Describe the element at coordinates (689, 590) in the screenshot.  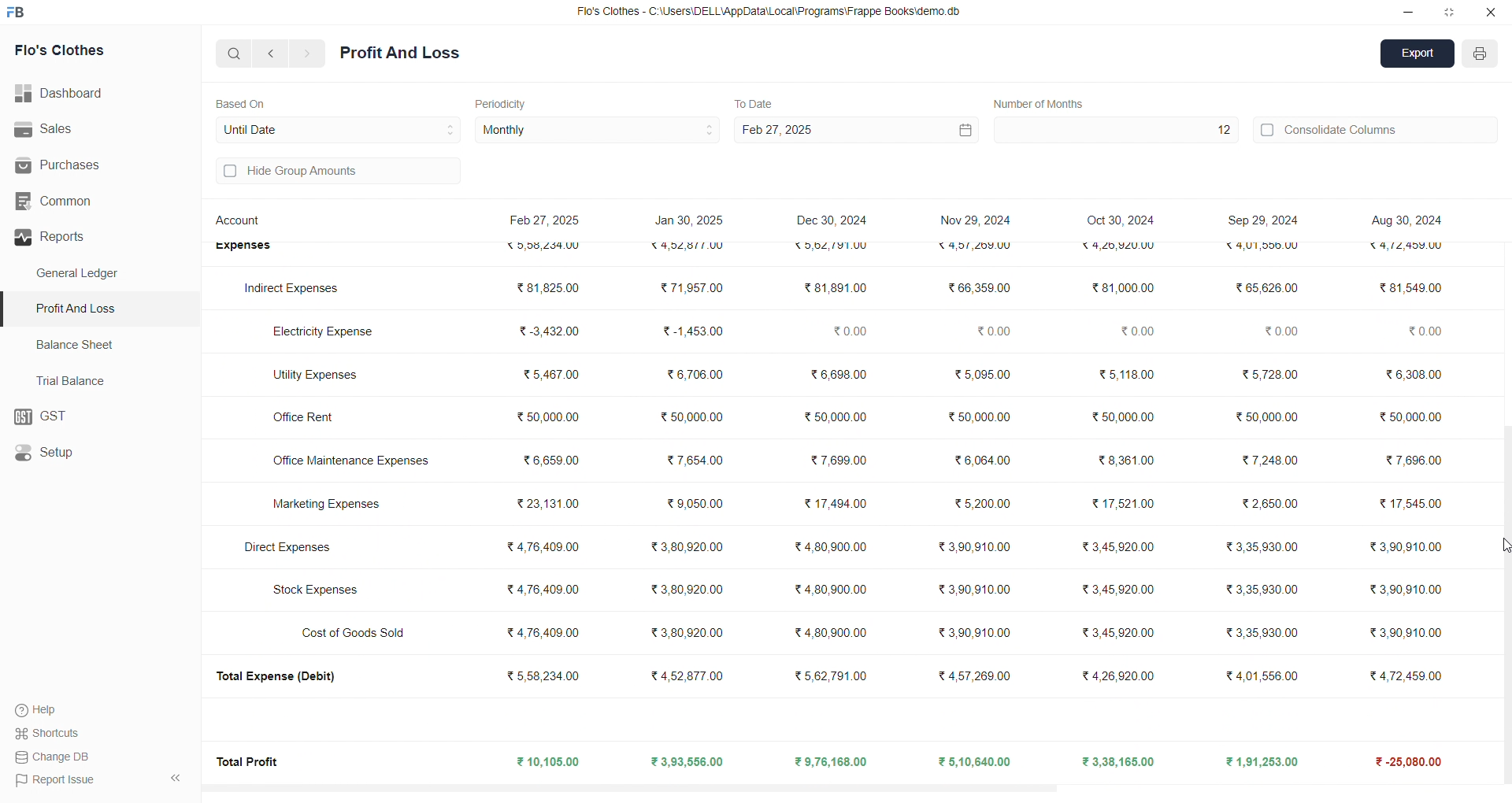
I see `₹3,80,920.00` at that location.